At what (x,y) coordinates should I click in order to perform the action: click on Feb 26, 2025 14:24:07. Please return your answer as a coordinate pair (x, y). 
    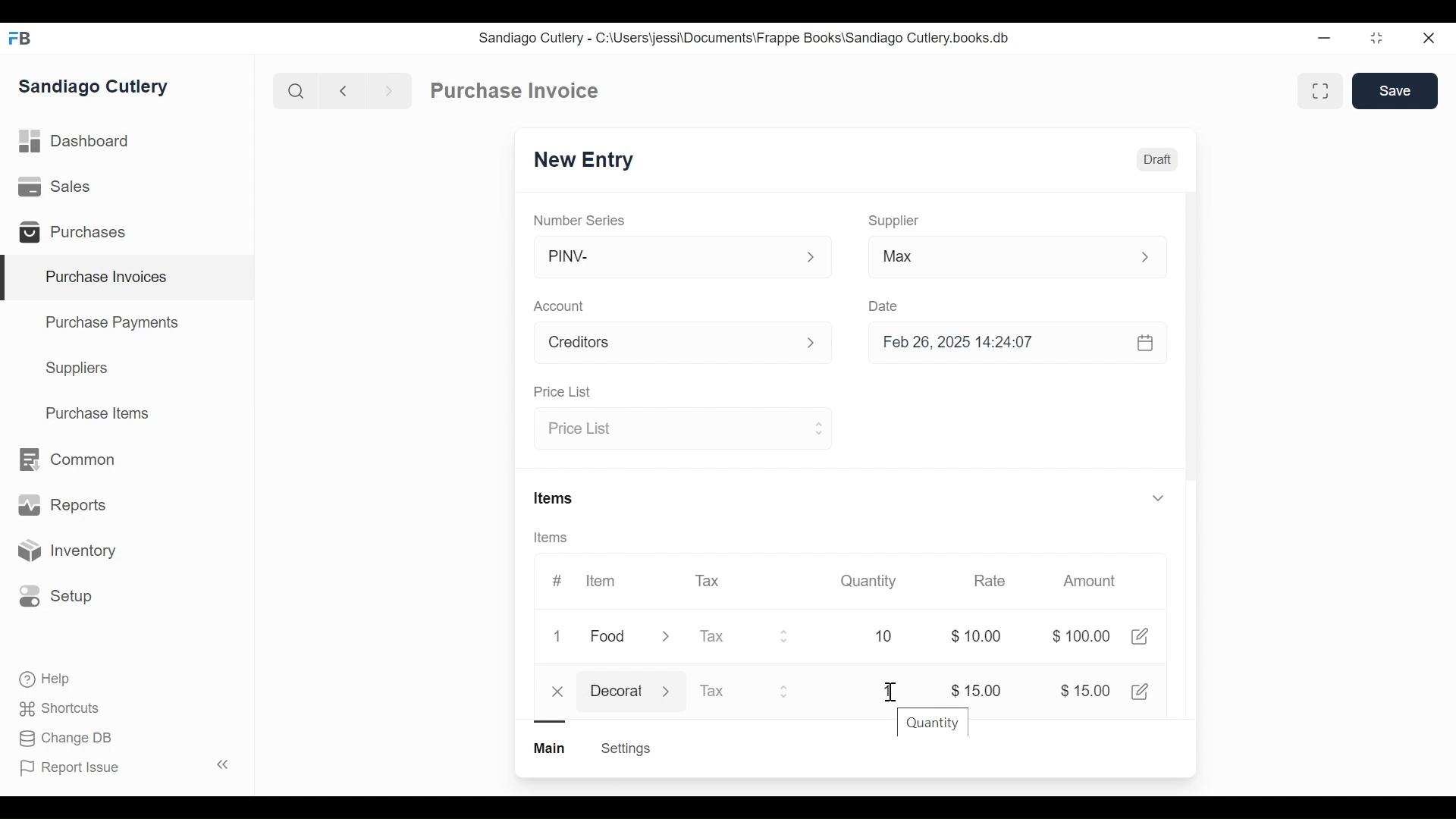
    Looking at the image, I should click on (1009, 343).